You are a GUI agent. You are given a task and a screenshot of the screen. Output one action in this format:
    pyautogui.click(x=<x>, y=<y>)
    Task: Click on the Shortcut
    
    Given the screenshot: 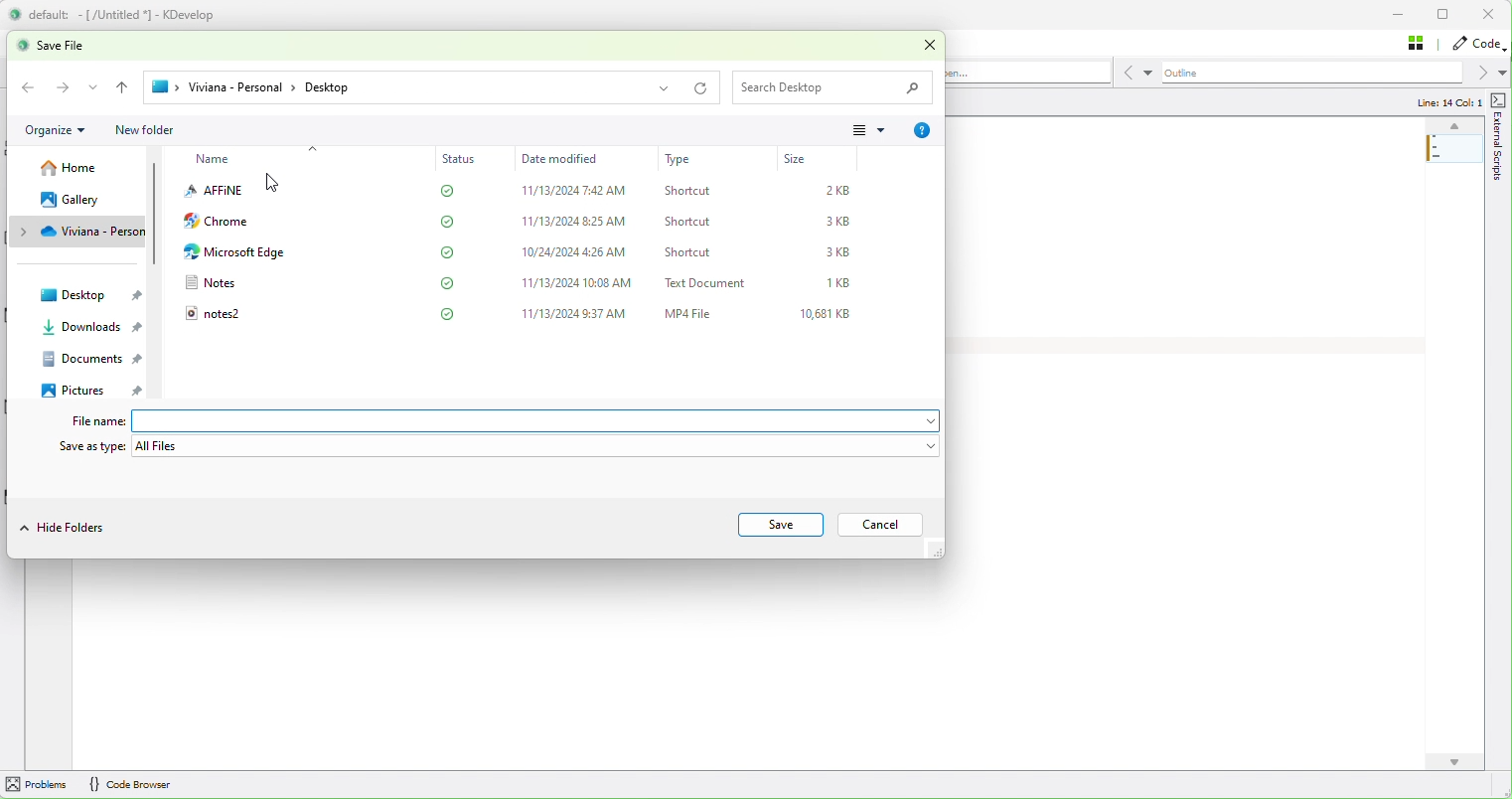 What is the action you would take?
    pyautogui.click(x=690, y=252)
    